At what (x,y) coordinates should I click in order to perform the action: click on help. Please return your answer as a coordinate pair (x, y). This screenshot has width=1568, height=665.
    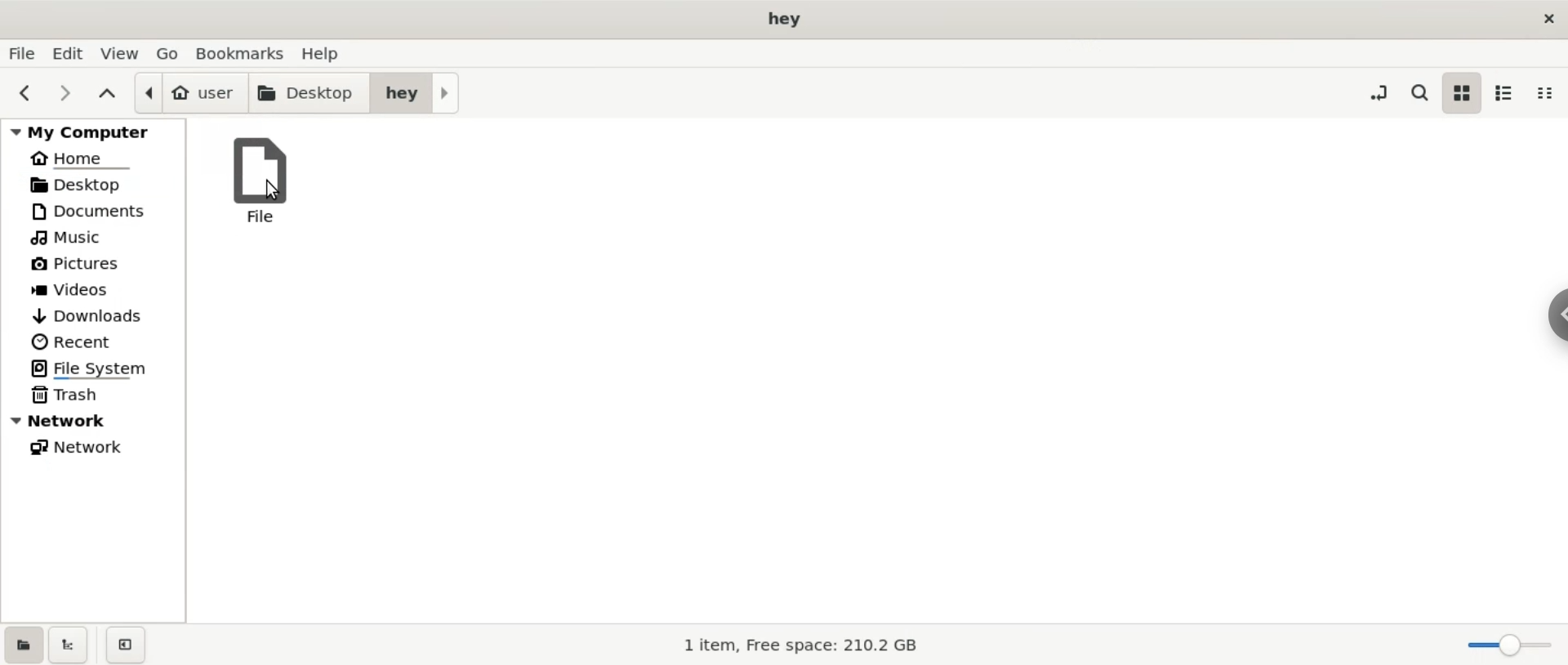
    Looking at the image, I should click on (338, 54).